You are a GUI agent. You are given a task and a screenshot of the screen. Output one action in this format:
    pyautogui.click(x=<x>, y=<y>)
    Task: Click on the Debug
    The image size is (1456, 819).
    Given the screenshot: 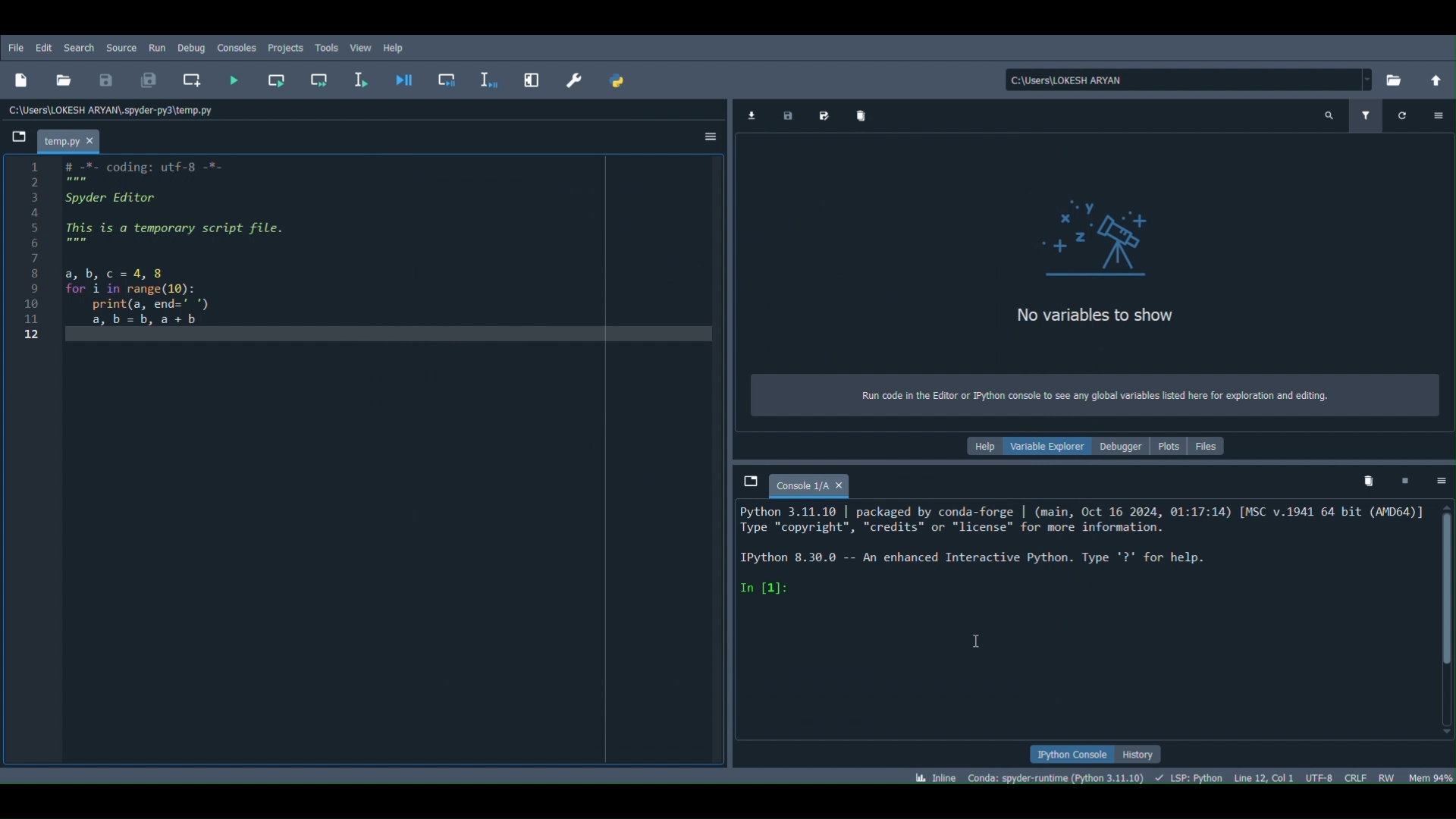 What is the action you would take?
    pyautogui.click(x=190, y=45)
    